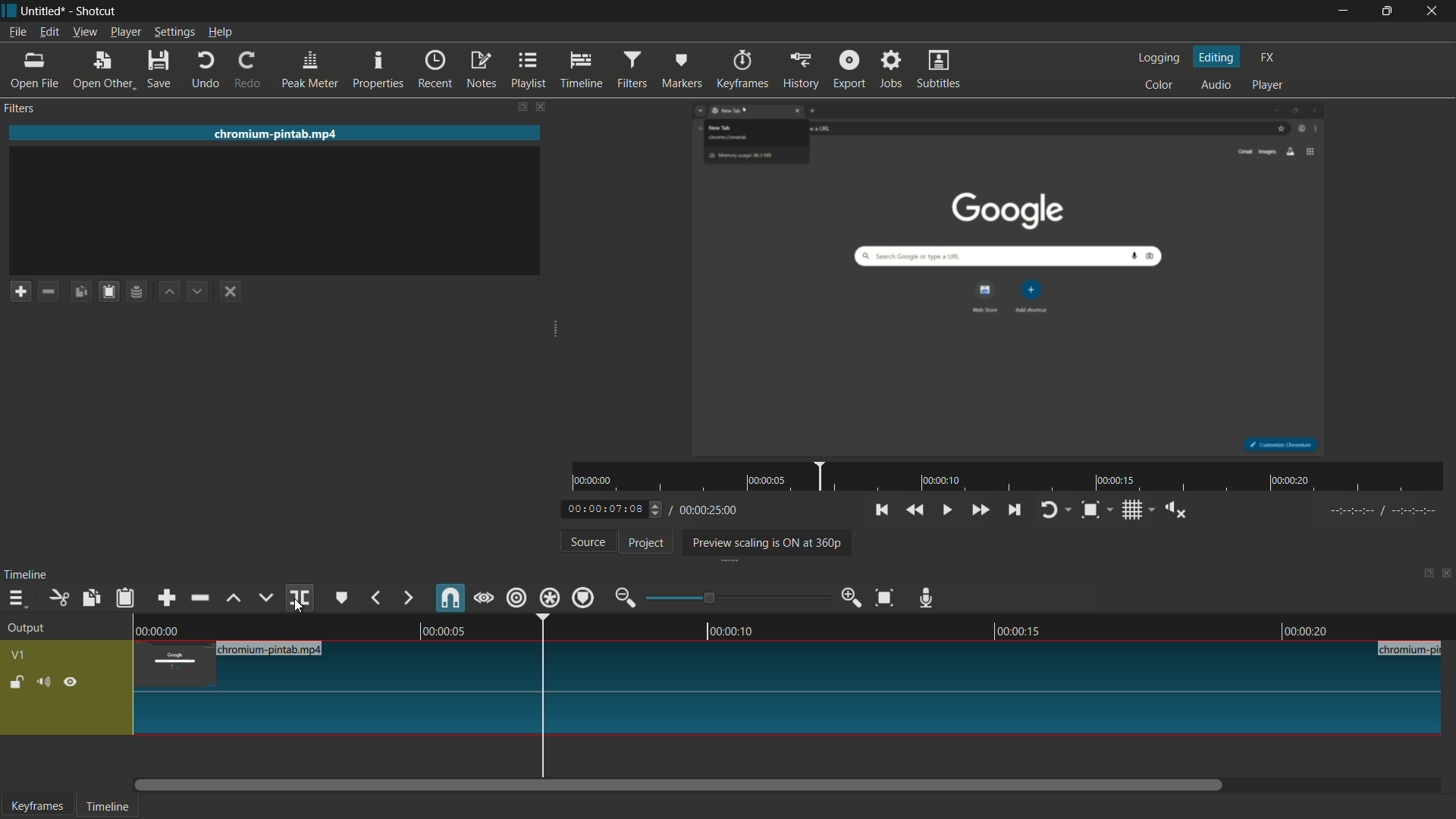 Image resolution: width=1456 pixels, height=819 pixels. What do you see at coordinates (221, 33) in the screenshot?
I see `help menu` at bounding box center [221, 33].